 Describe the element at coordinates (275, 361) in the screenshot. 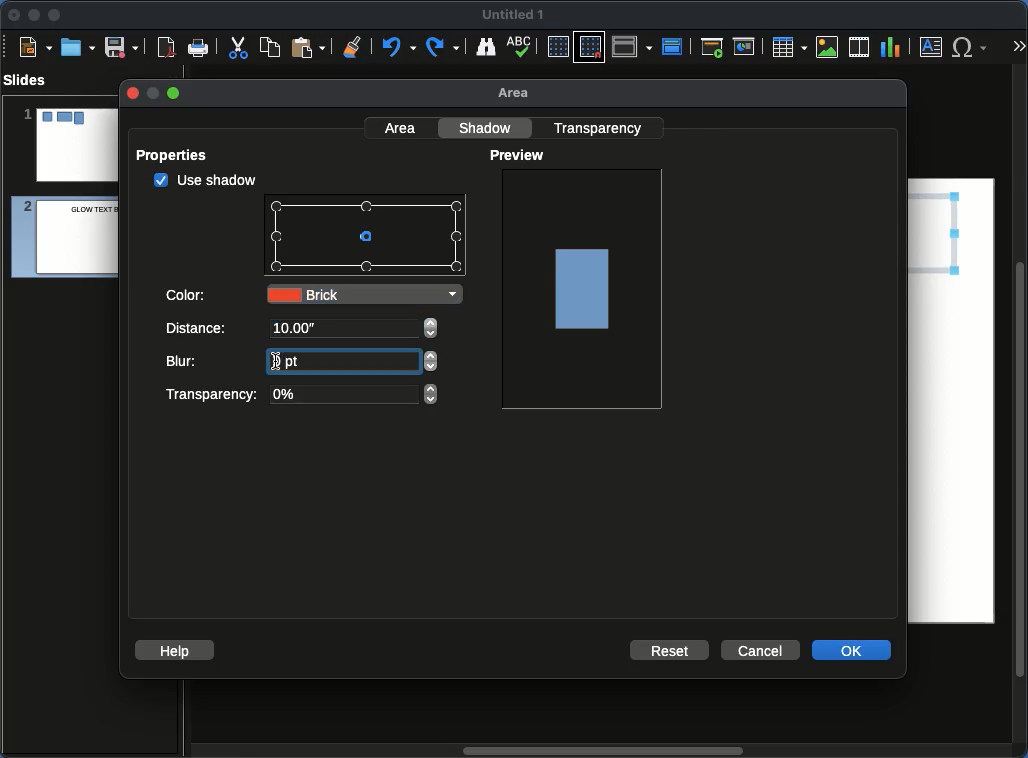

I see `text cursor` at that location.